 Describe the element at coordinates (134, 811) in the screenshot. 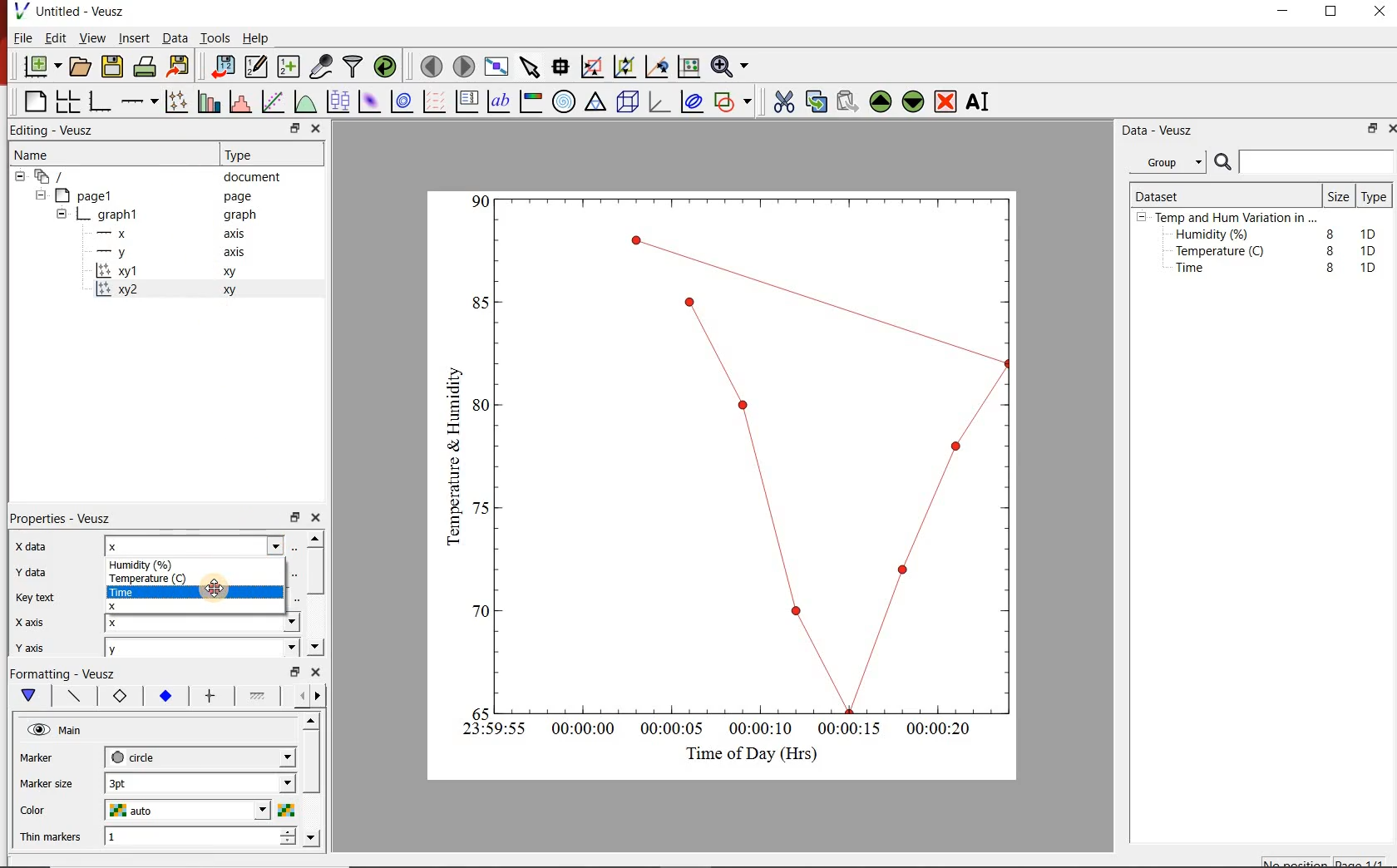

I see `auto` at that location.